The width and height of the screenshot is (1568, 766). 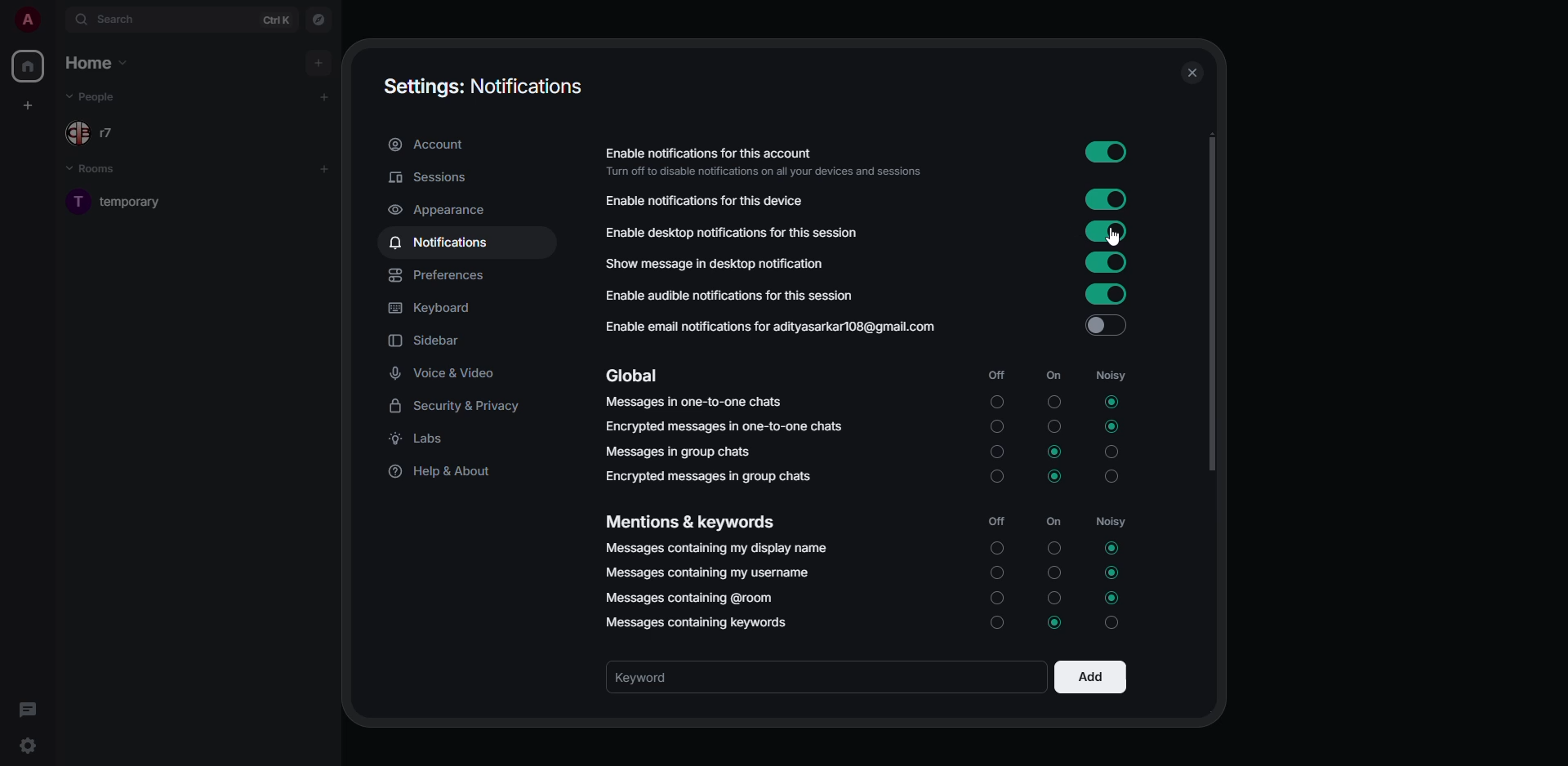 What do you see at coordinates (650, 677) in the screenshot?
I see `keyword` at bounding box center [650, 677].